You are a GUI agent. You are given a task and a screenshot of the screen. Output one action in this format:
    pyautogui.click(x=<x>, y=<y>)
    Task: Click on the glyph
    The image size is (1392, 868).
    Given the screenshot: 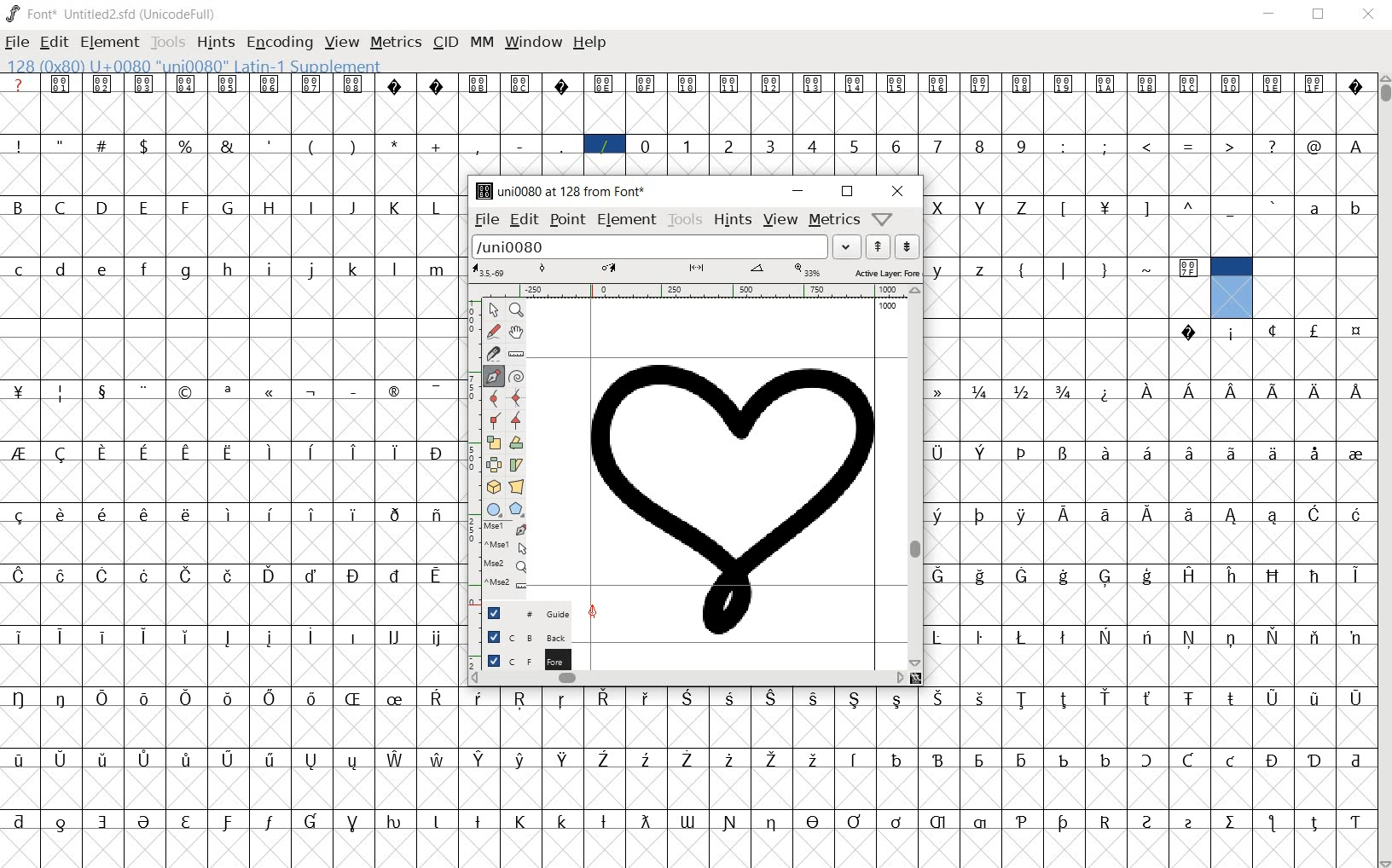 What is the action you would take?
    pyautogui.click(x=60, y=269)
    